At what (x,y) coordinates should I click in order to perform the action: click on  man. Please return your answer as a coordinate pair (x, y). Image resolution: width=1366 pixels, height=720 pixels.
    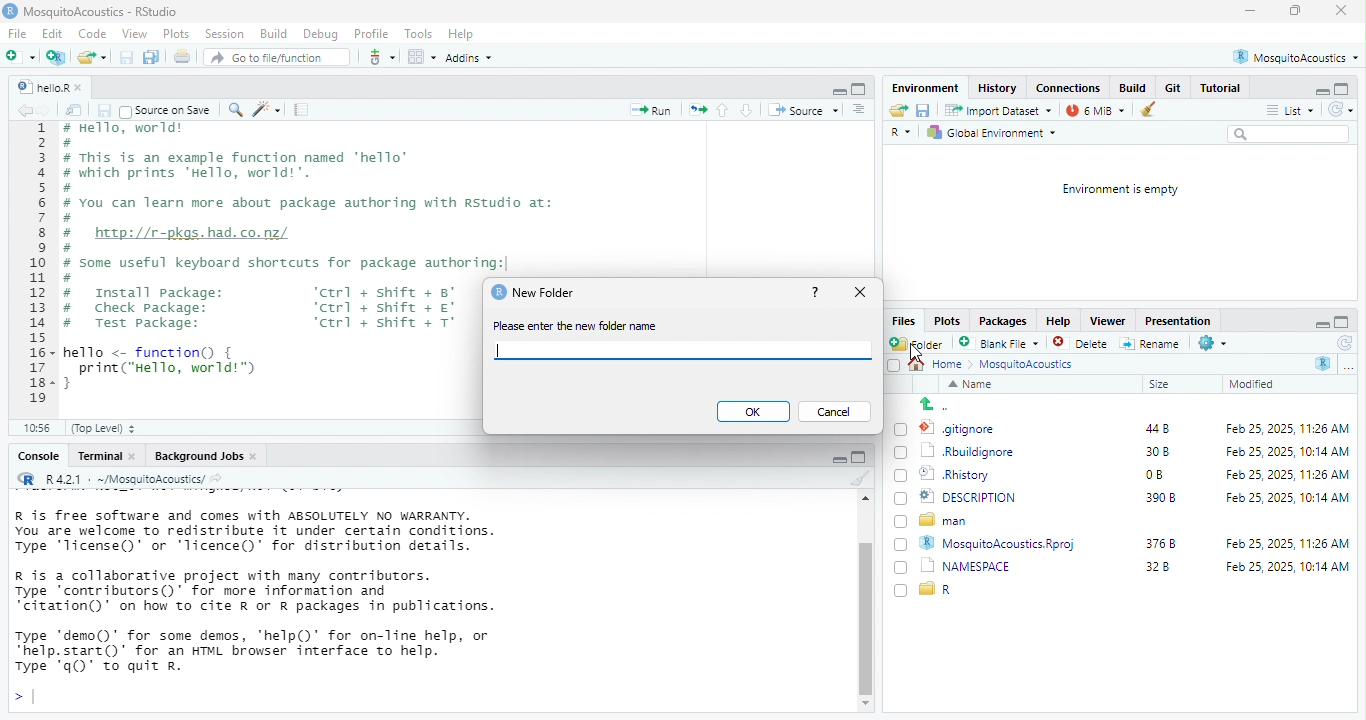
    Looking at the image, I should click on (950, 521).